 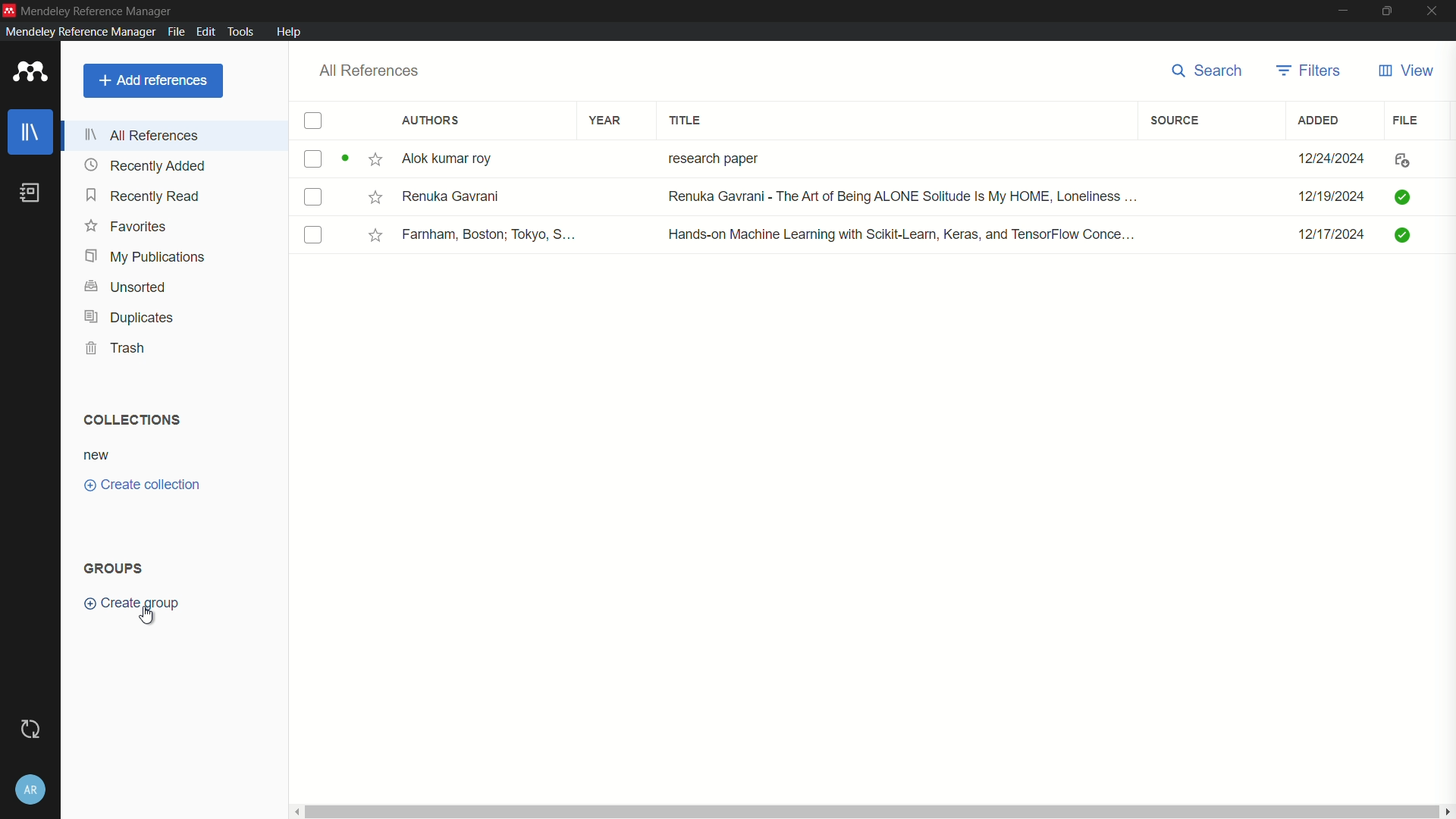 I want to click on recently added, so click(x=146, y=165).